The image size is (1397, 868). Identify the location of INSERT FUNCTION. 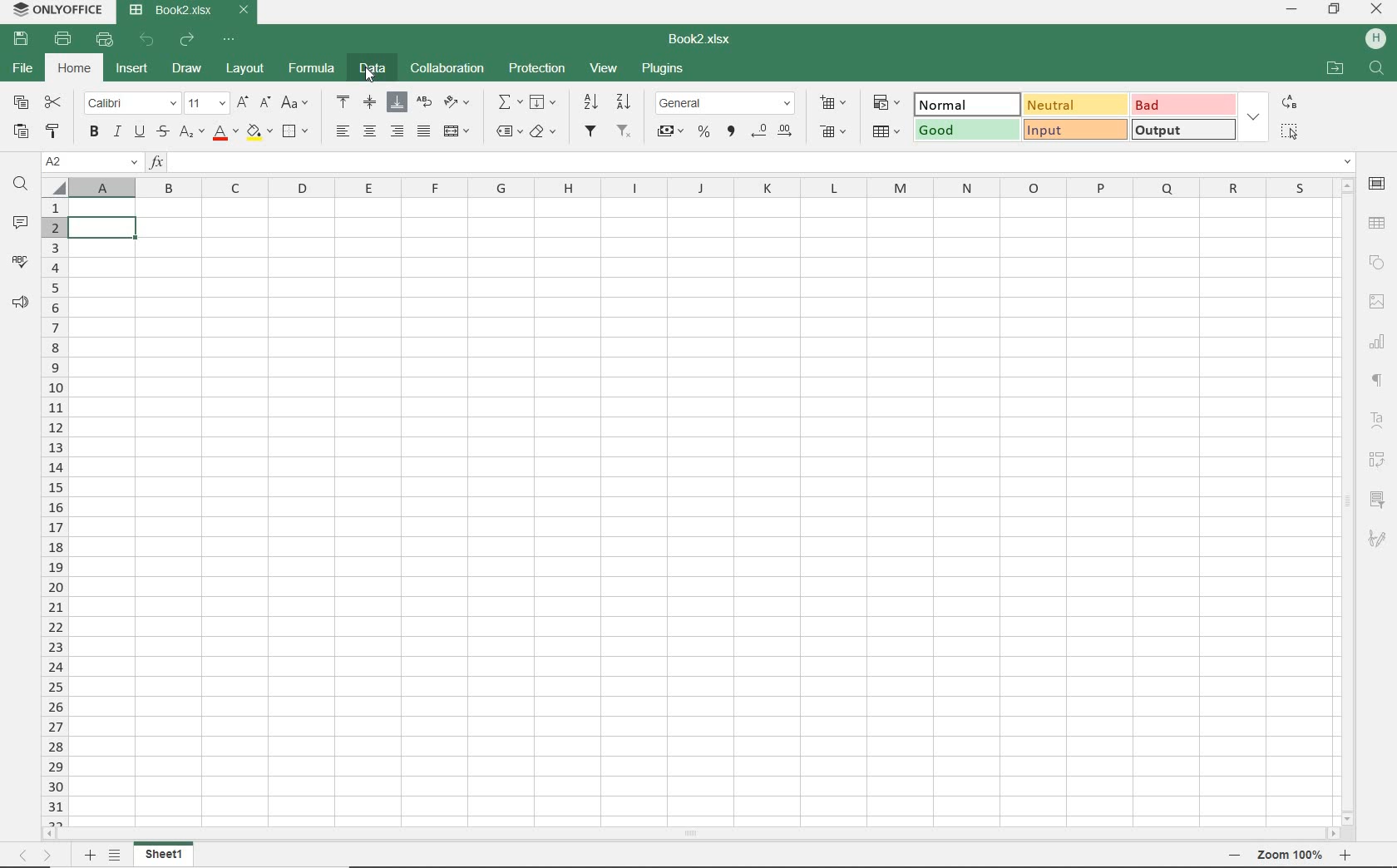
(749, 162).